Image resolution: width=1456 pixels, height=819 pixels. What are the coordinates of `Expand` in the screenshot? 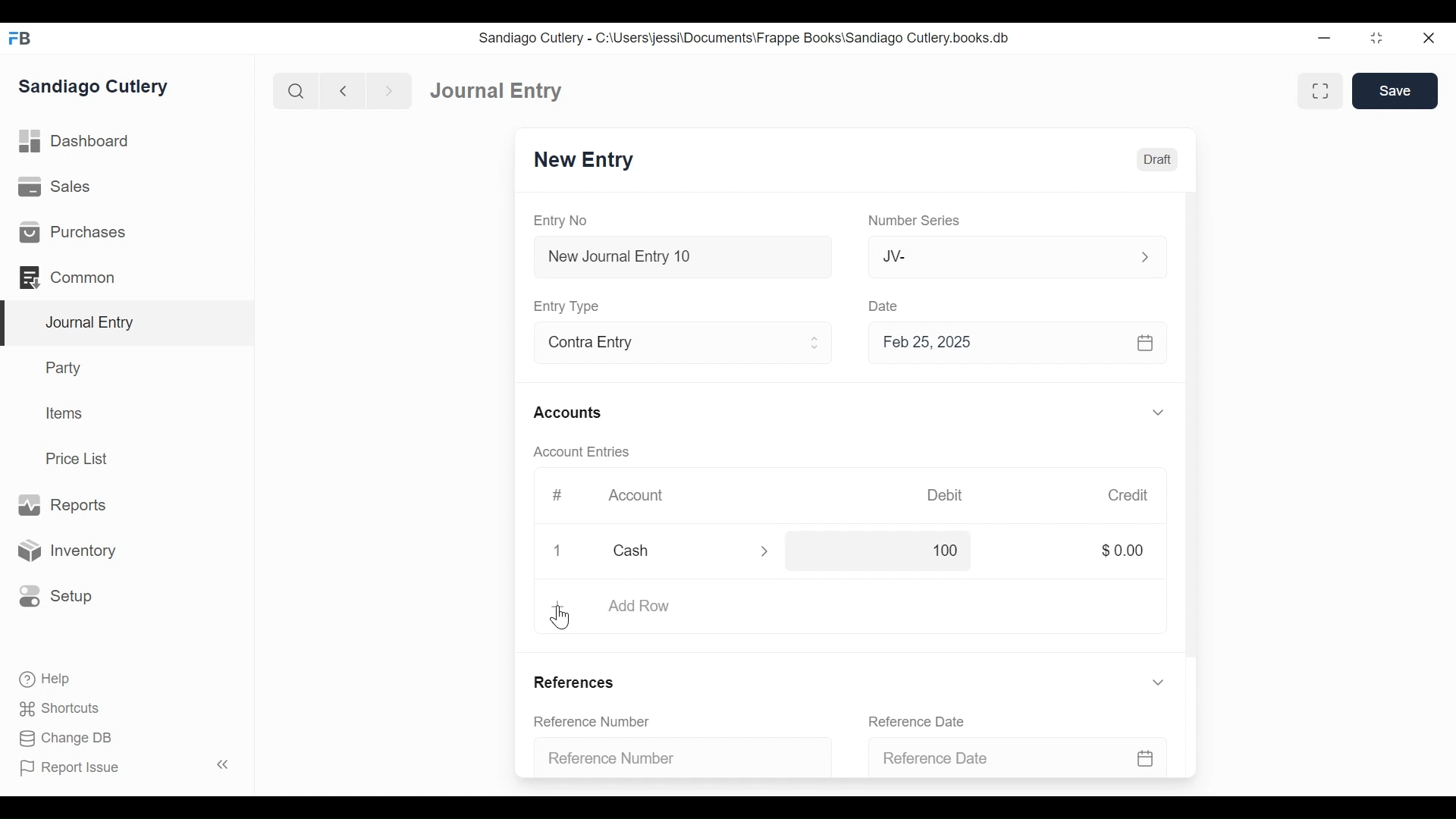 It's located at (1160, 685).